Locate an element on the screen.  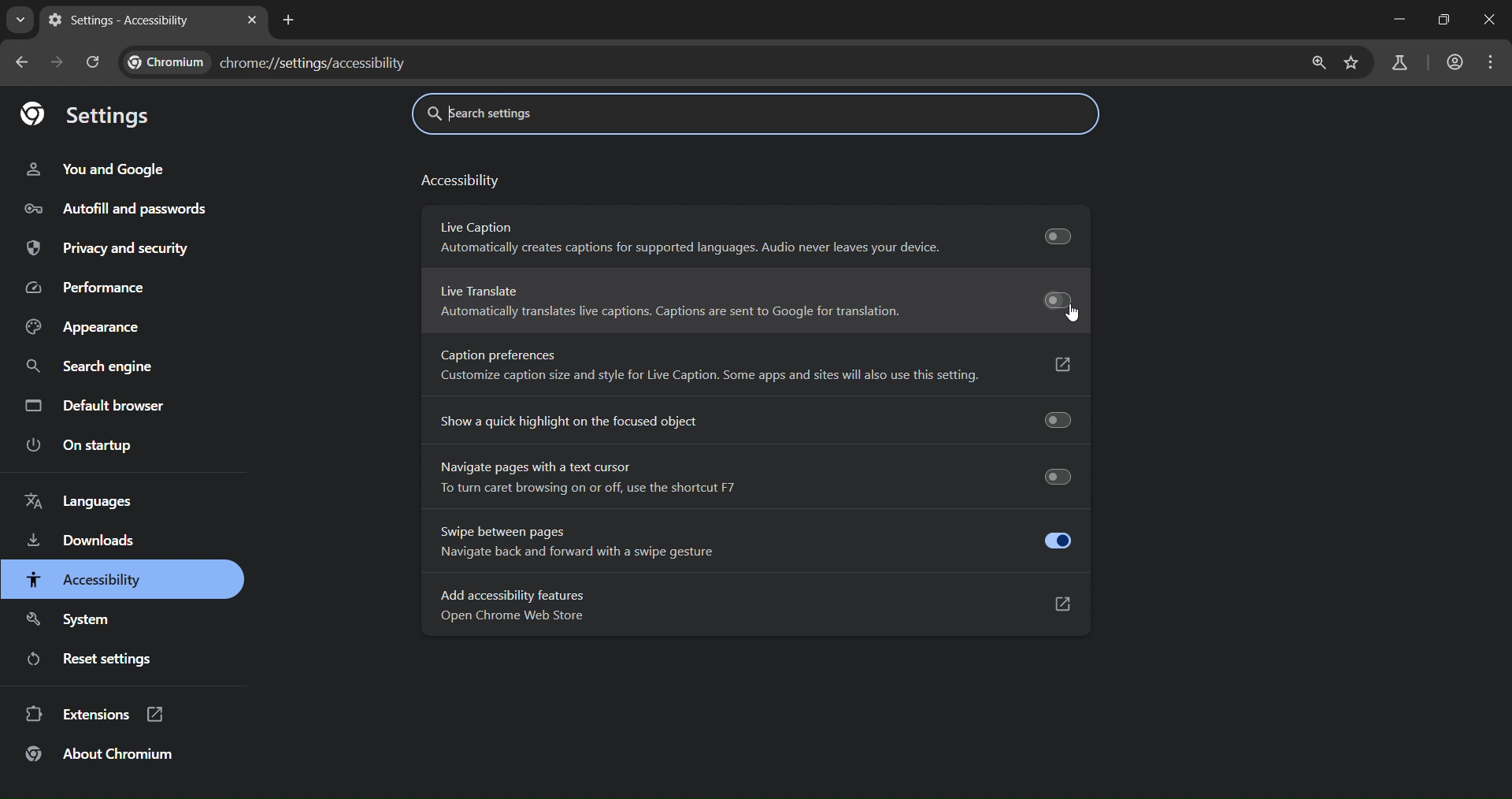
Caption preferences
Customize caption size and style for Live Caption. Some apps and sites will also use this setting. is located at coordinates (702, 368).